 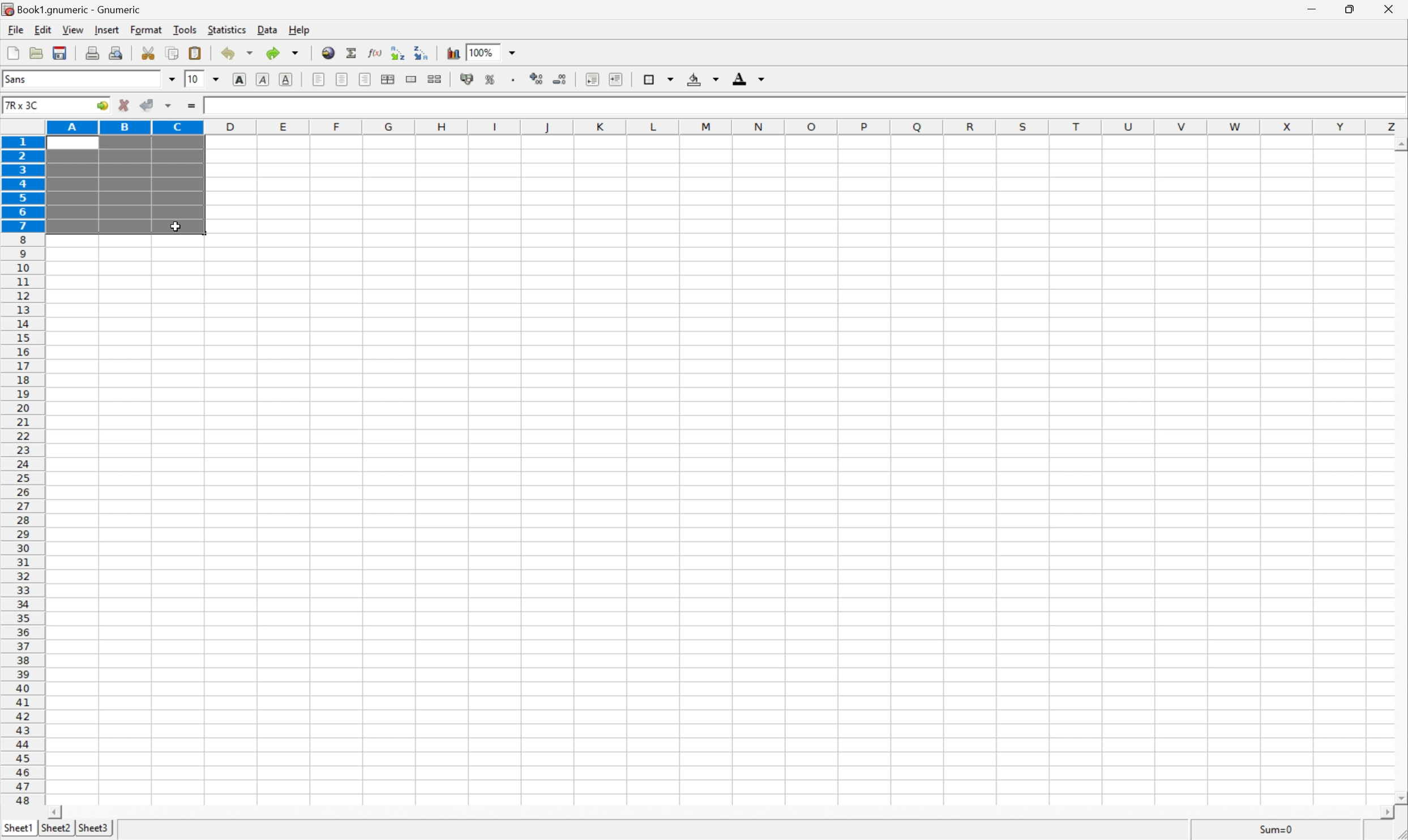 What do you see at coordinates (43, 105) in the screenshot?
I see `7R×3C` at bounding box center [43, 105].